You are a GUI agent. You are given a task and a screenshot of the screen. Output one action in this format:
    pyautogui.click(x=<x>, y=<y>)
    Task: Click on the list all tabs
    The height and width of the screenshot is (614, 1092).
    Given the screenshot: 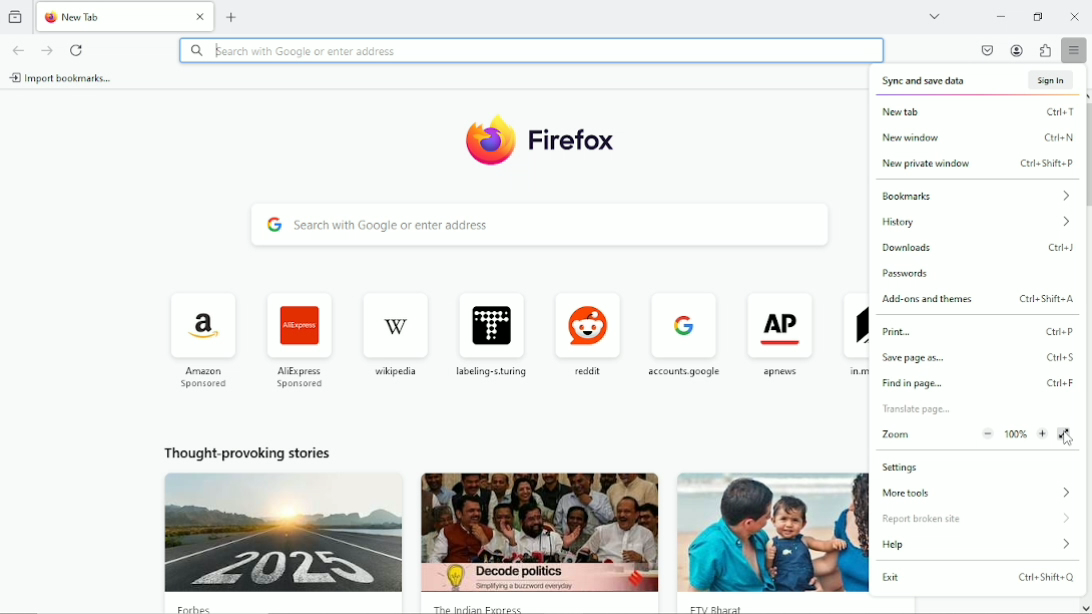 What is the action you would take?
    pyautogui.click(x=936, y=15)
    